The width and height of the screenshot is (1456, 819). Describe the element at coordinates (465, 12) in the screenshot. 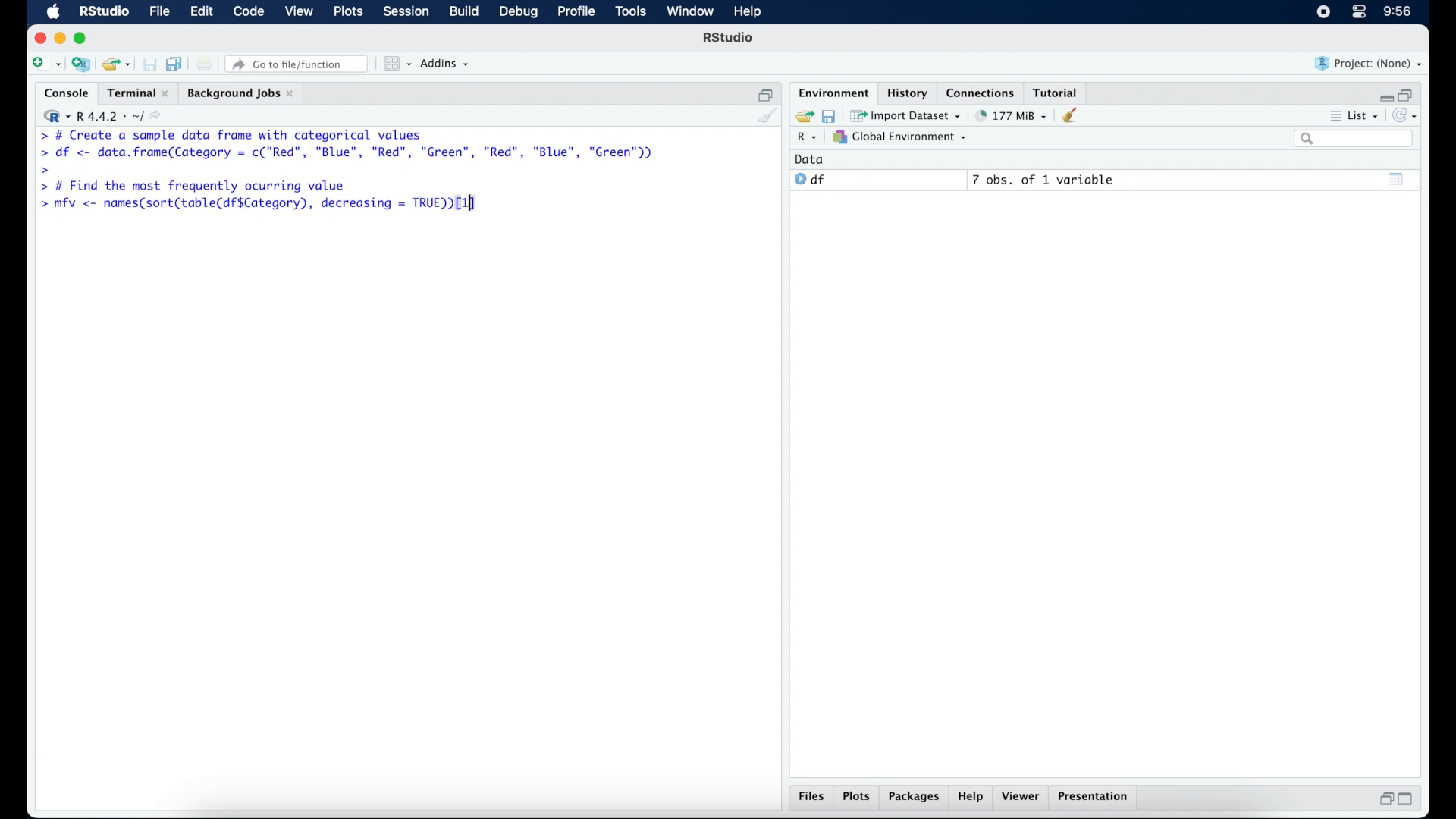

I see `build` at that location.